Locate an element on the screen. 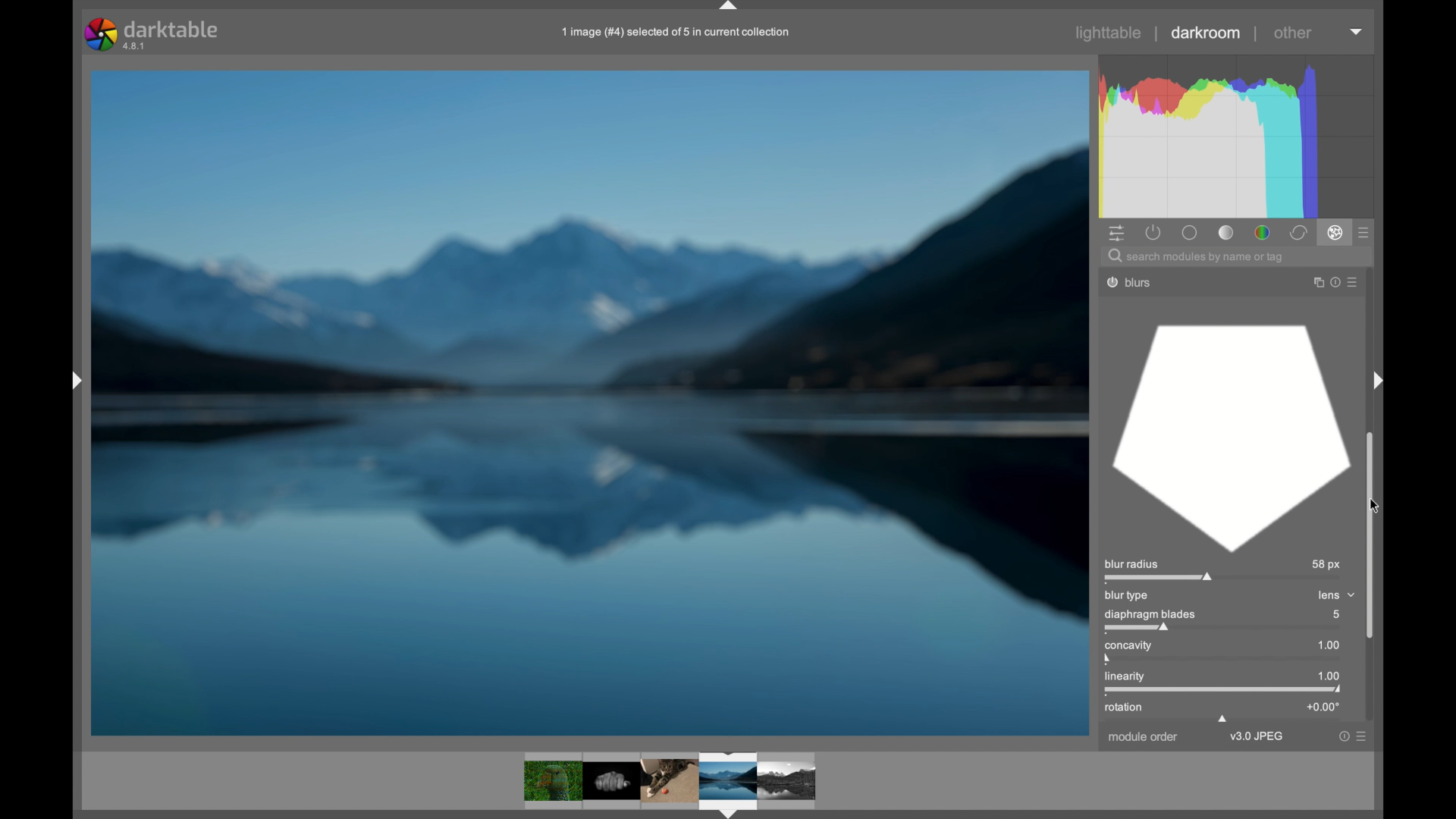 The image size is (1456, 819). 5 is located at coordinates (1337, 613).